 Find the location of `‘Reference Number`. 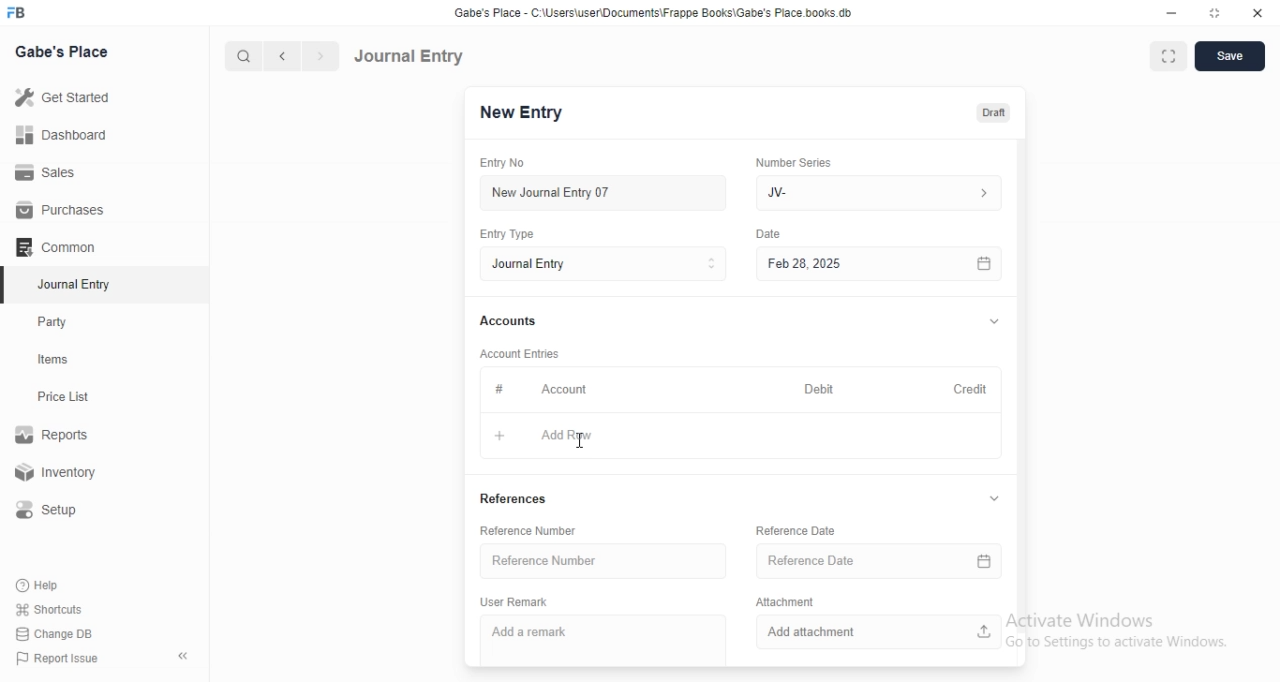

‘Reference Number is located at coordinates (529, 530).